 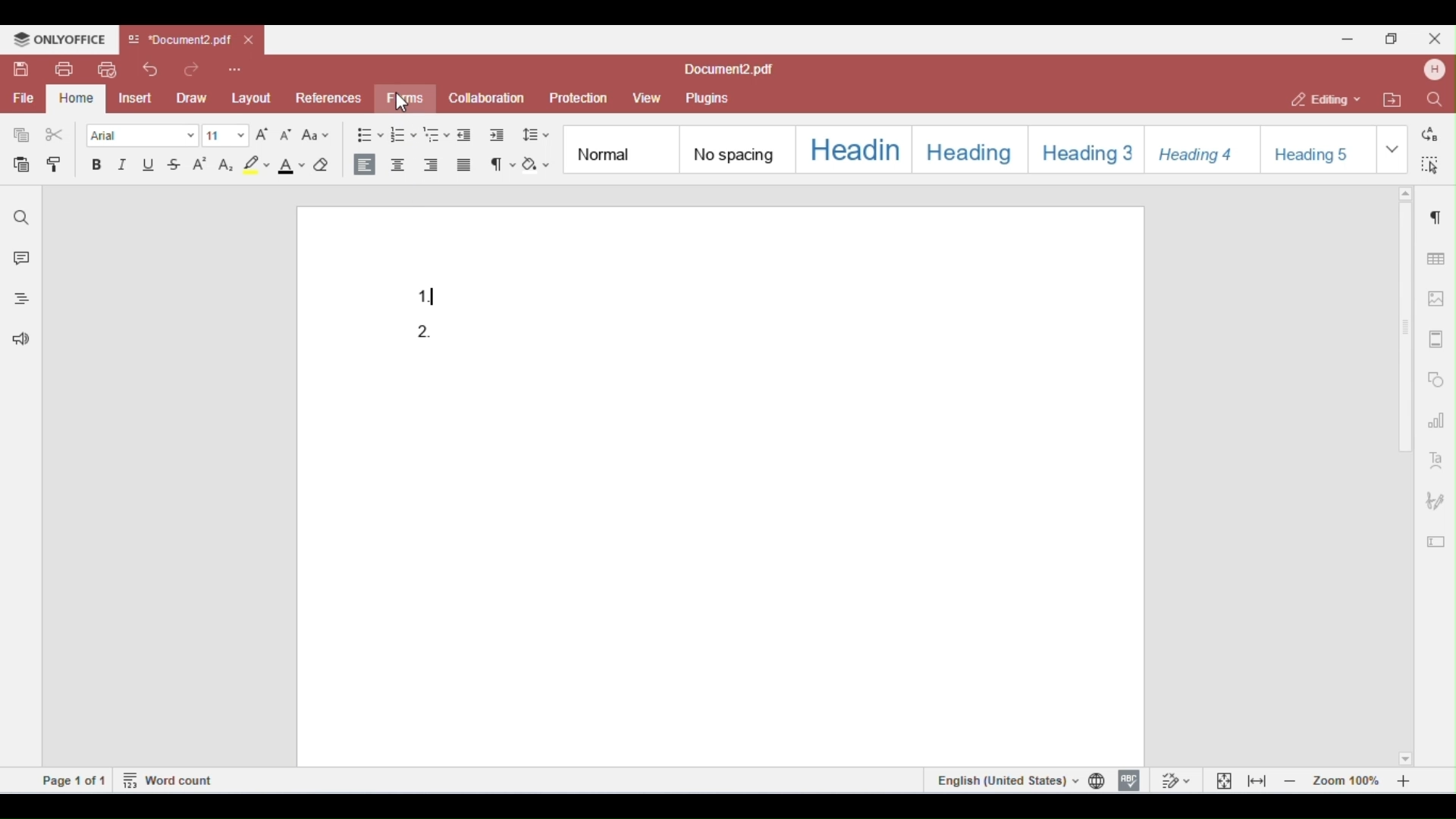 What do you see at coordinates (579, 99) in the screenshot?
I see `protection` at bounding box center [579, 99].